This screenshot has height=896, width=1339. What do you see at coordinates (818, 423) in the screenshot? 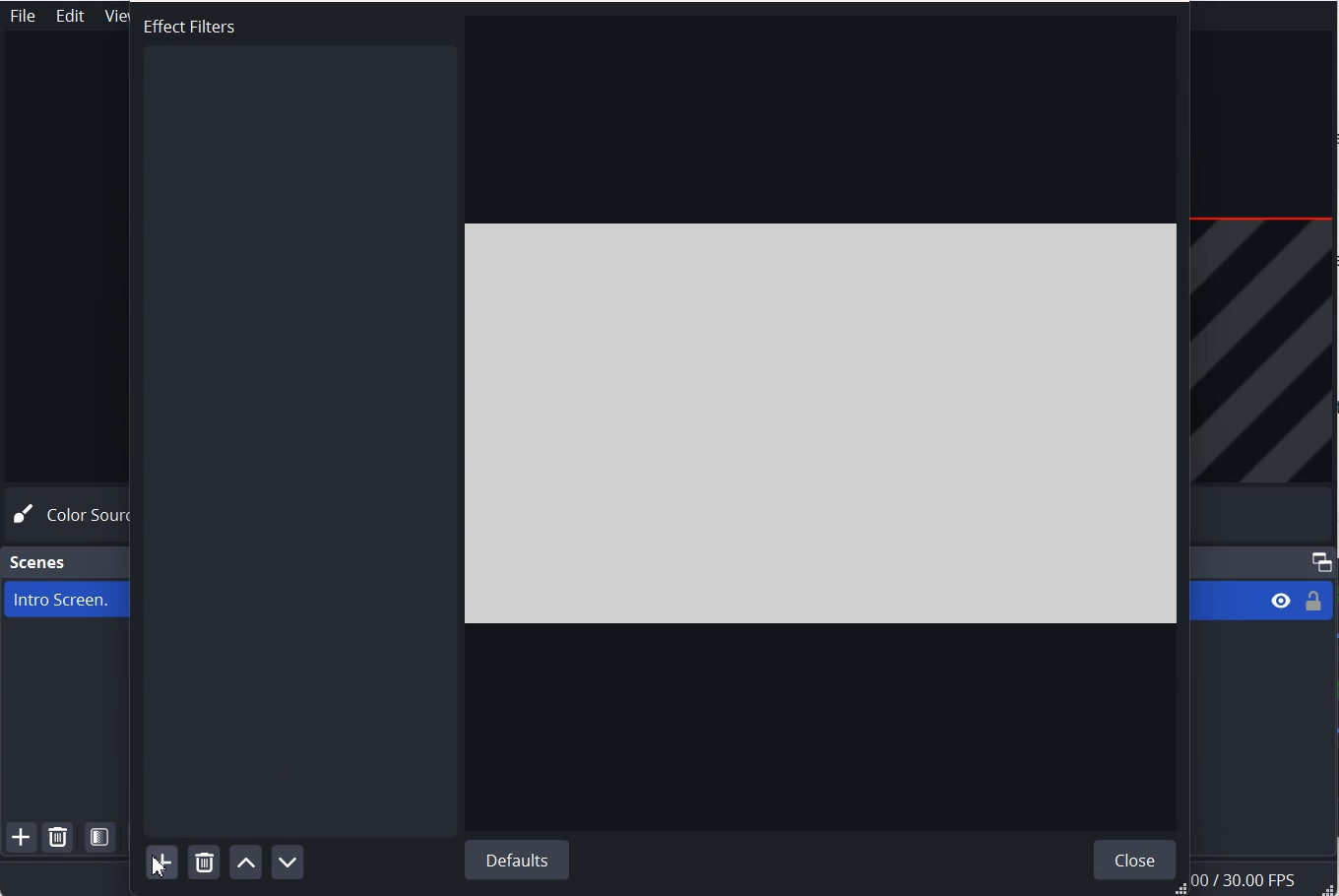
I see `File Preview window` at bounding box center [818, 423].